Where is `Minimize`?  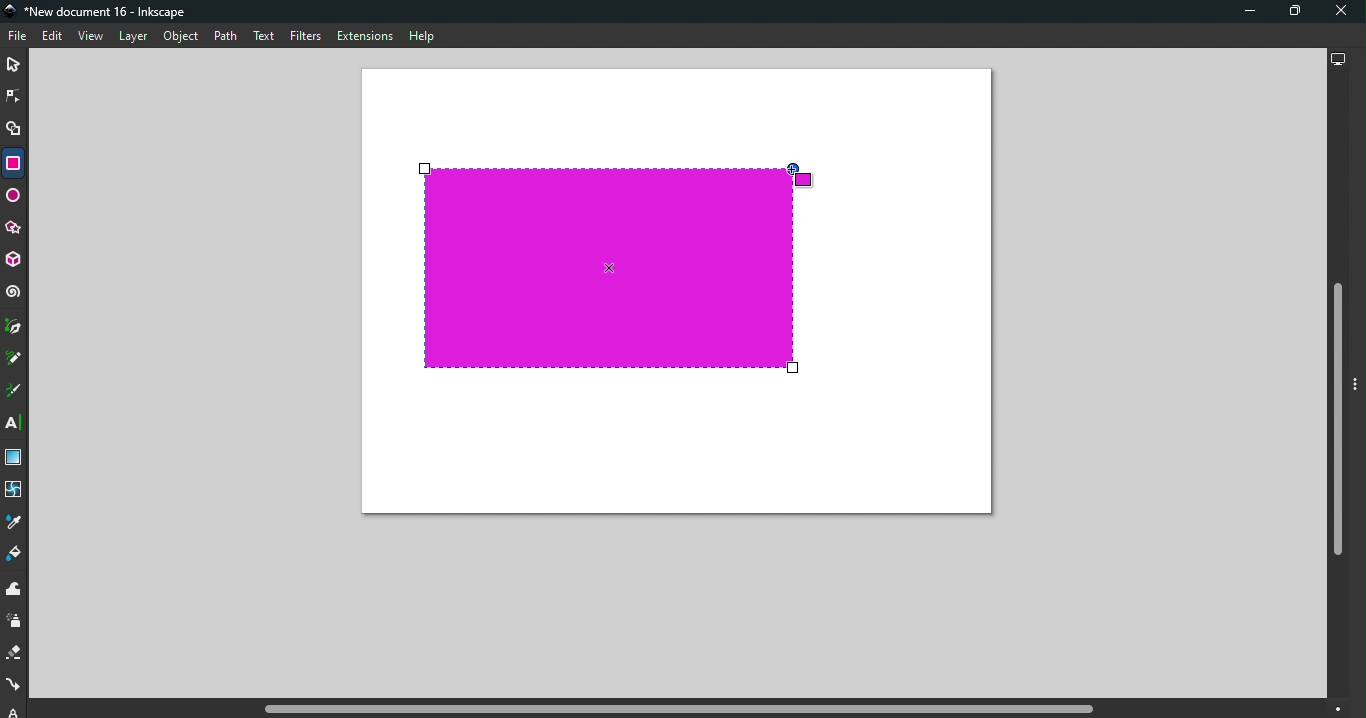 Minimize is located at coordinates (1247, 11).